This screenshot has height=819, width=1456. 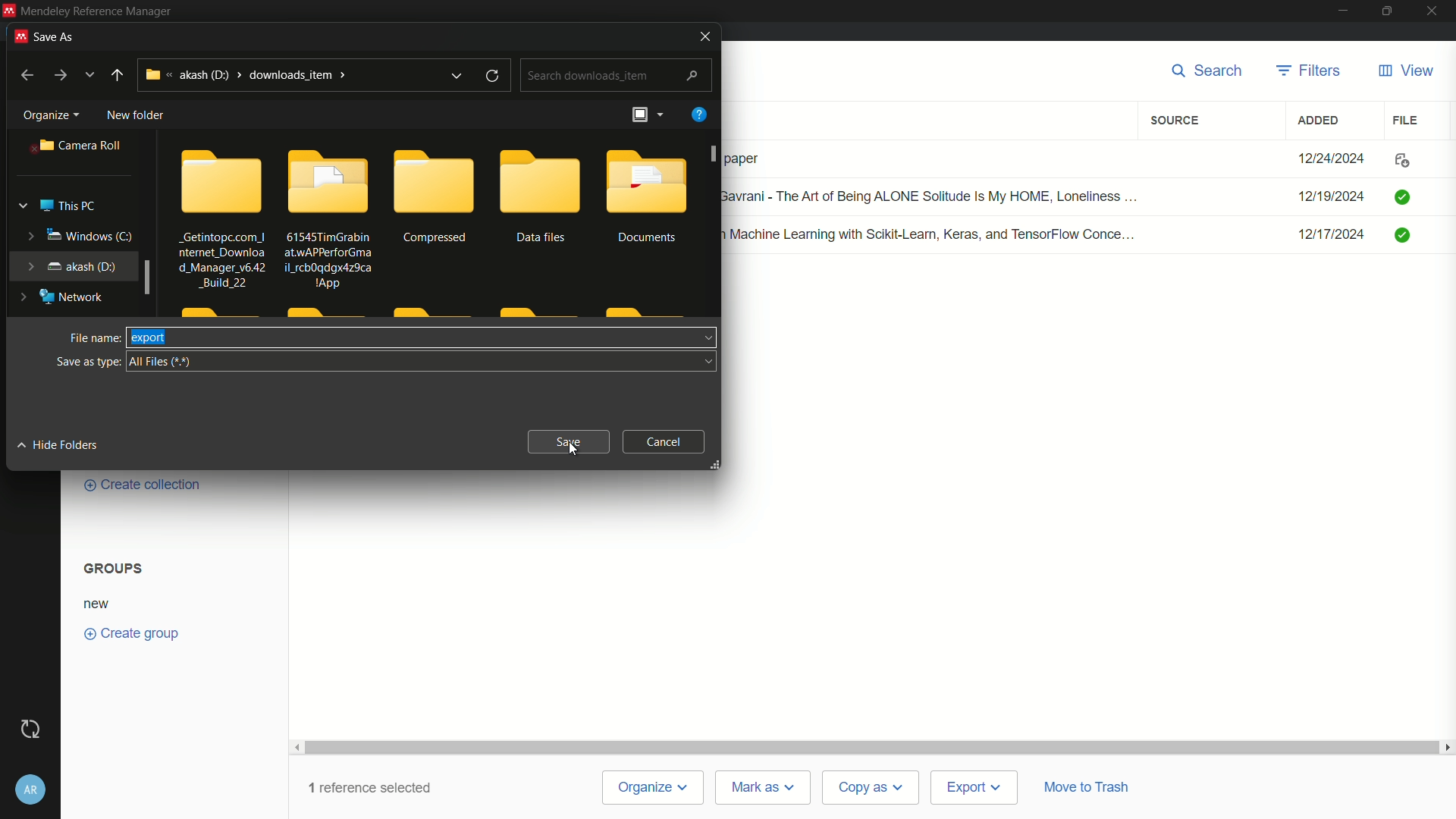 I want to click on file, so click(x=1403, y=121).